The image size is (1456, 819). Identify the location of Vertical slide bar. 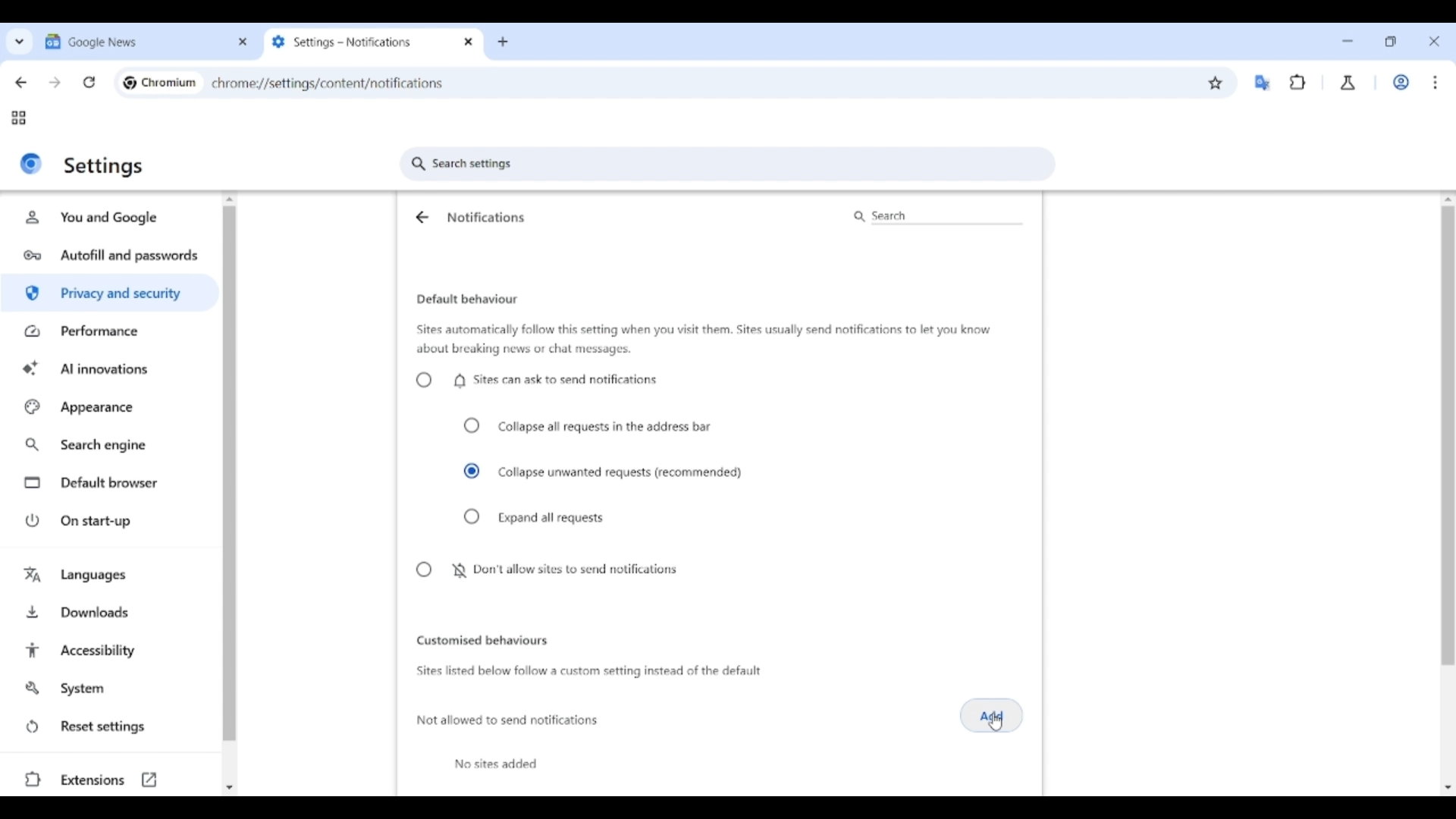
(229, 474).